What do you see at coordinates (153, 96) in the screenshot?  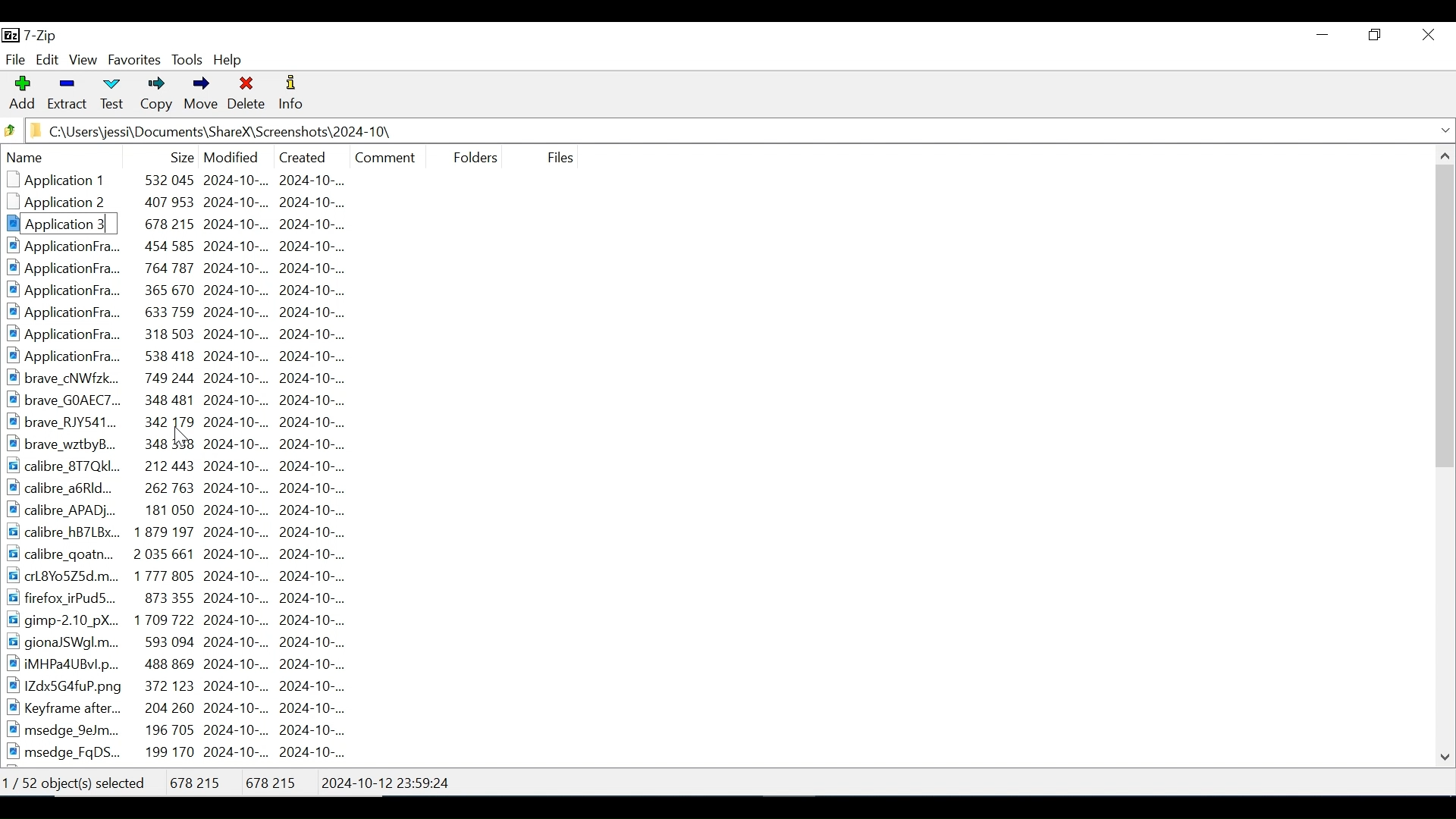 I see `Copy` at bounding box center [153, 96].